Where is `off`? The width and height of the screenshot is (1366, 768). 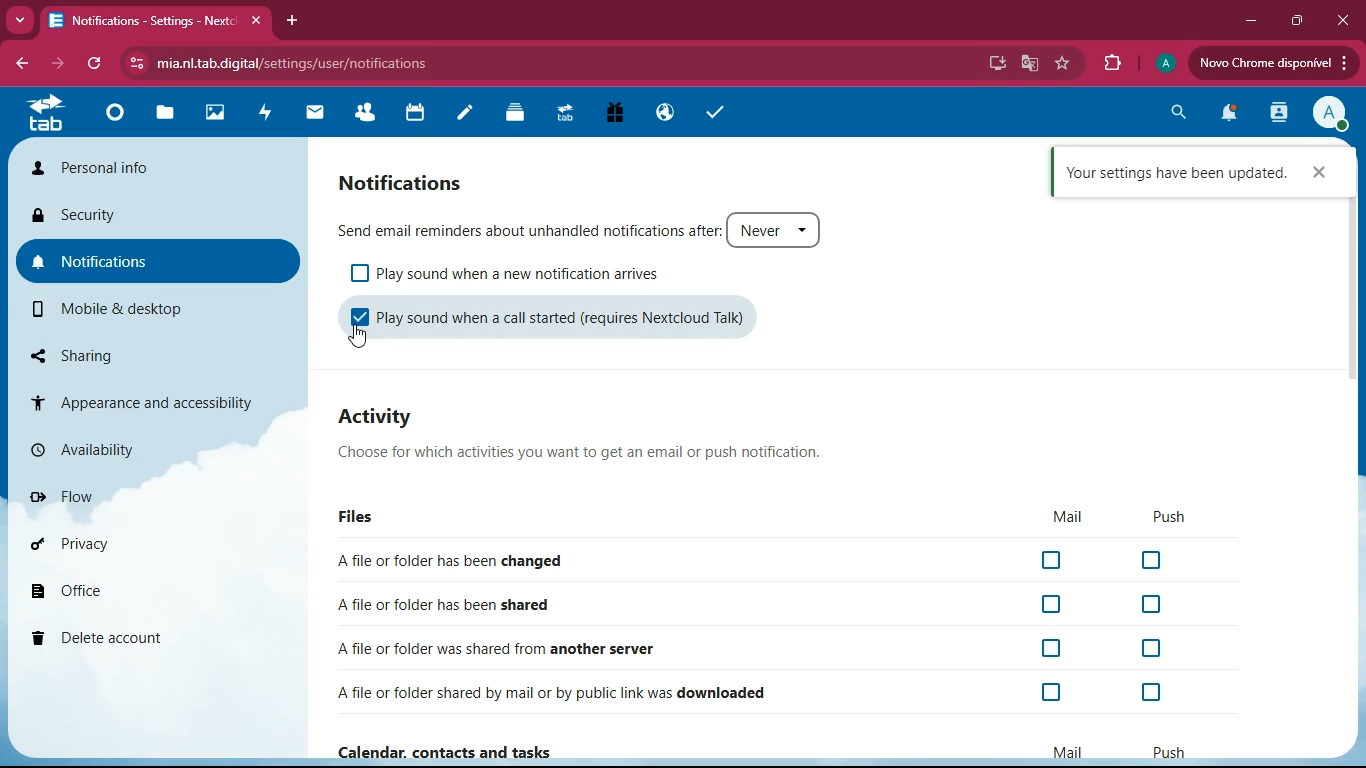 off is located at coordinates (1154, 648).